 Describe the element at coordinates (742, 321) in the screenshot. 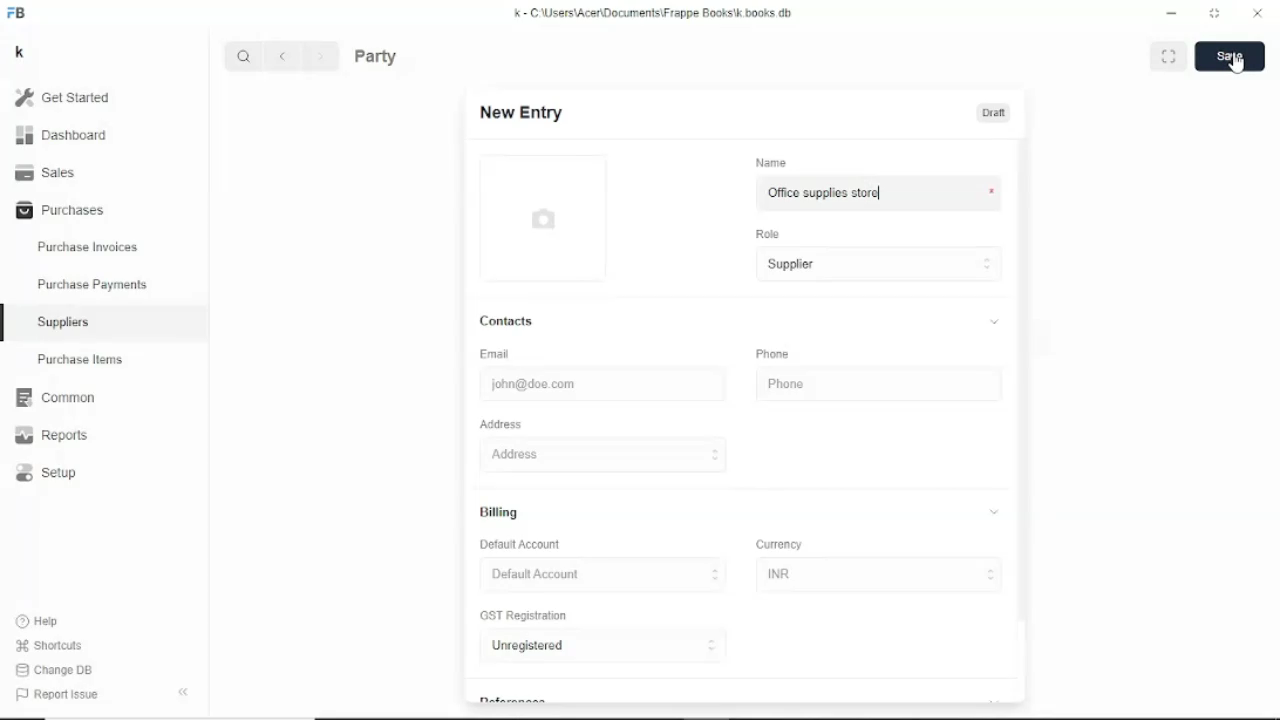

I see `Contacts` at that location.